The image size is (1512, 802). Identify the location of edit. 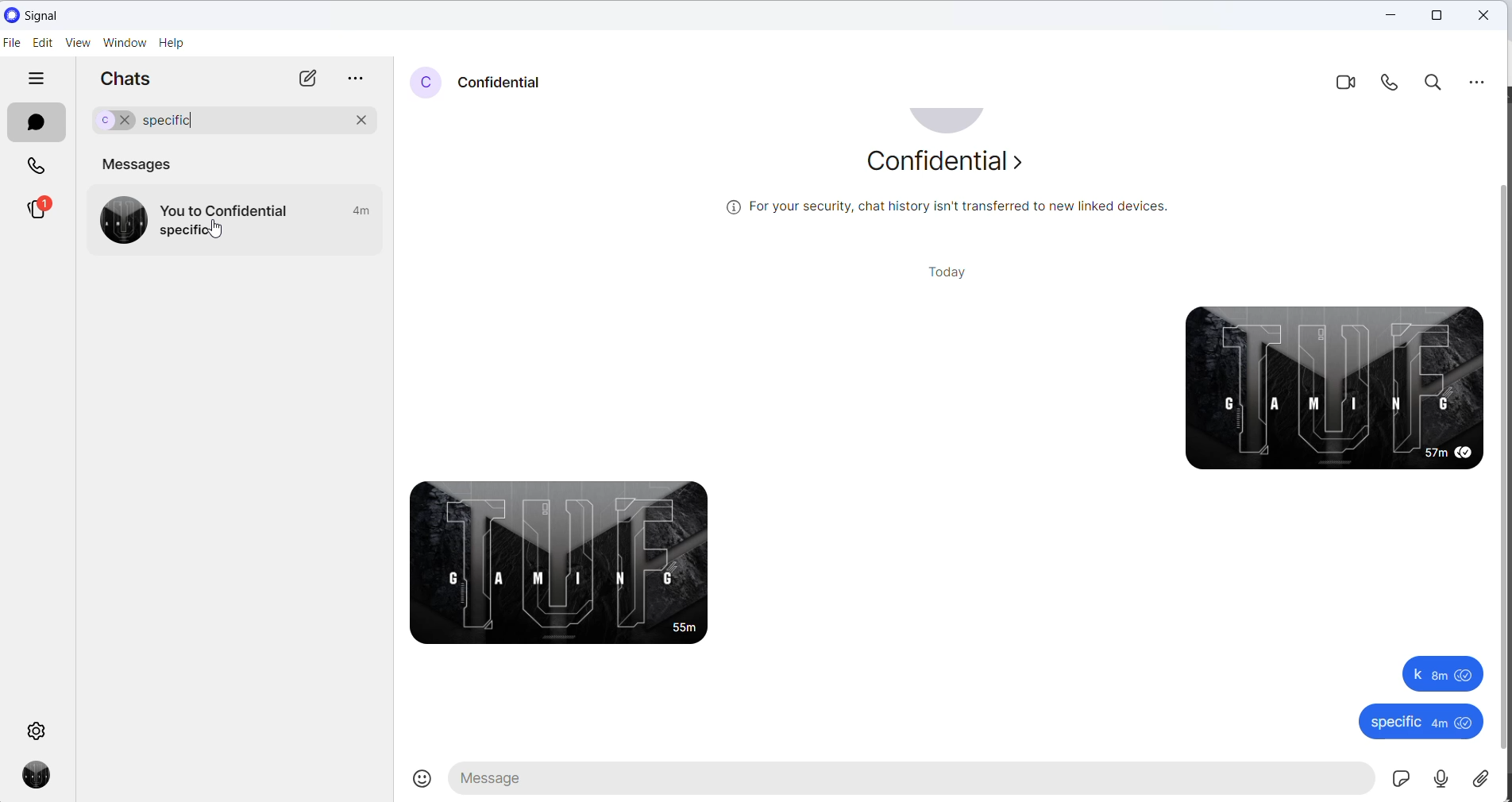
(43, 44).